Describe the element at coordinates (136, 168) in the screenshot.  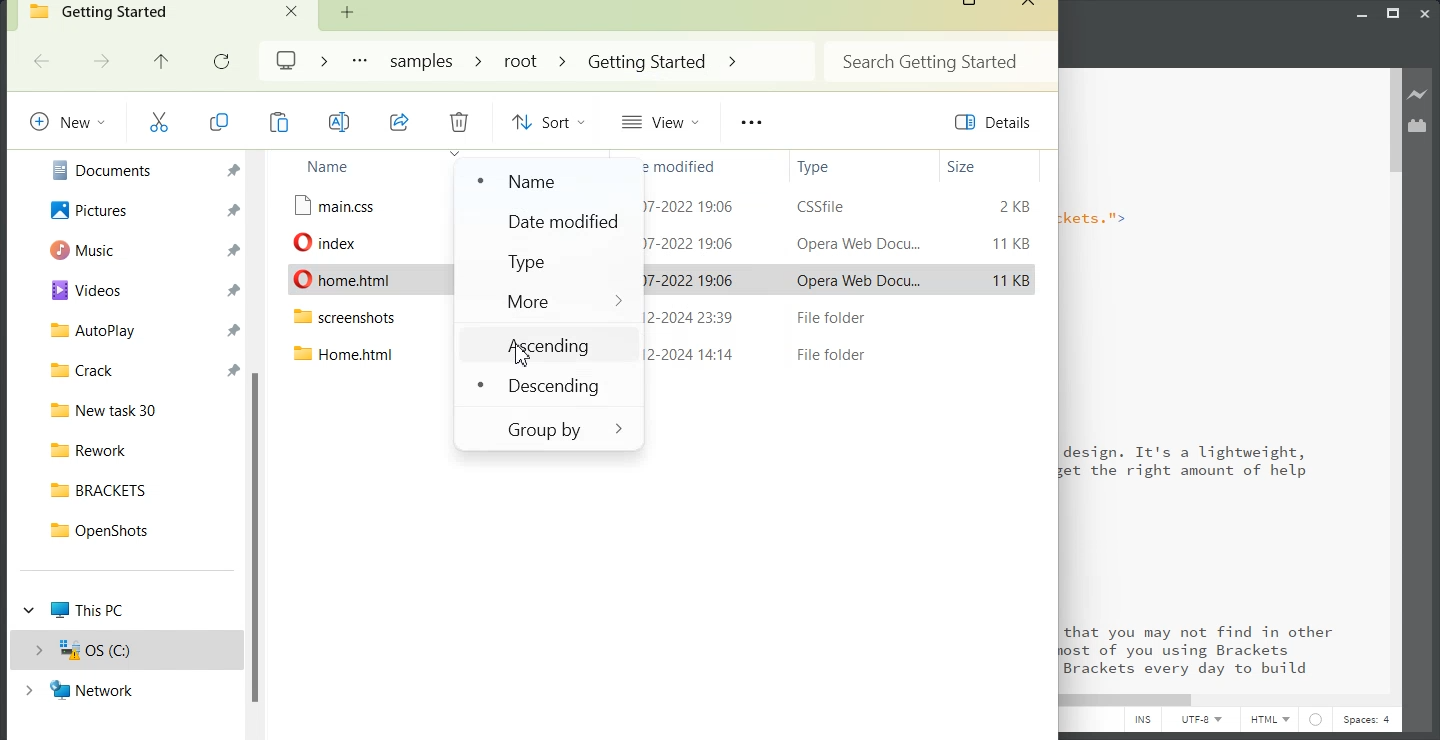
I see `Documents` at that location.